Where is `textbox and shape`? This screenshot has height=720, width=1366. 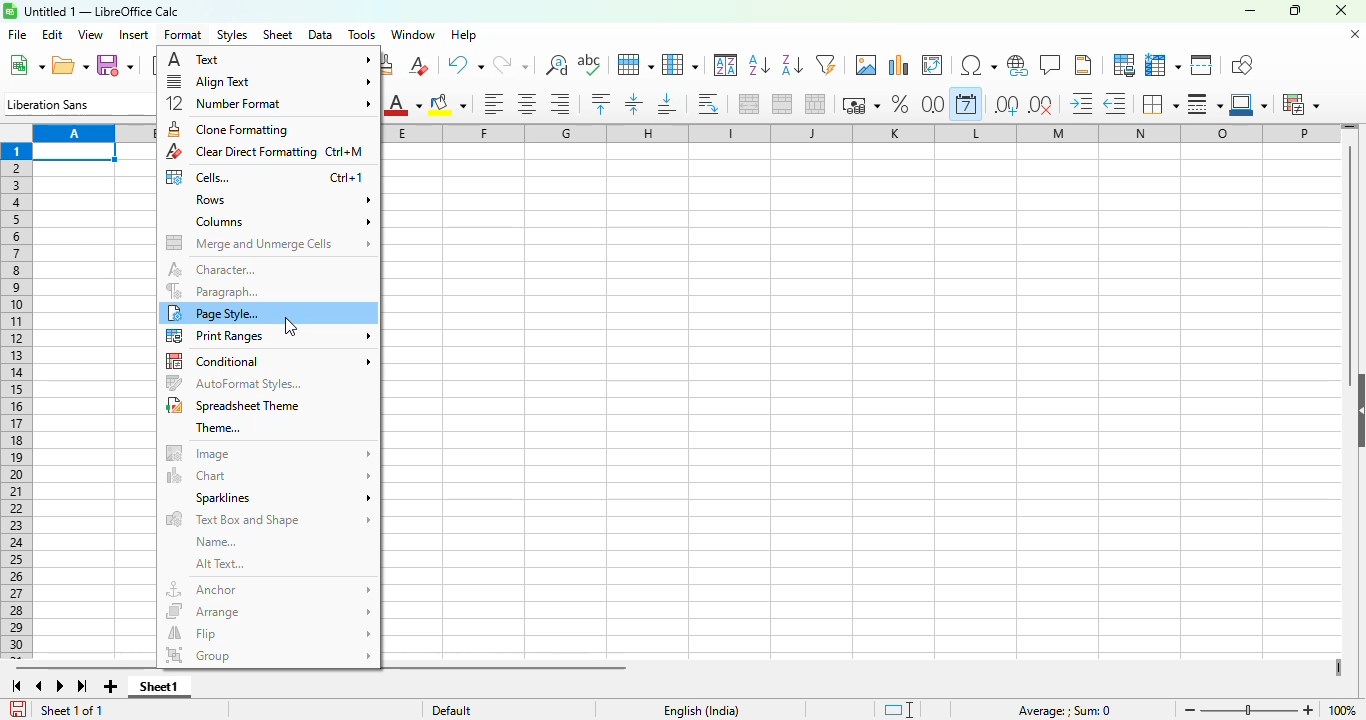
textbox and shape is located at coordinates (267, 519).